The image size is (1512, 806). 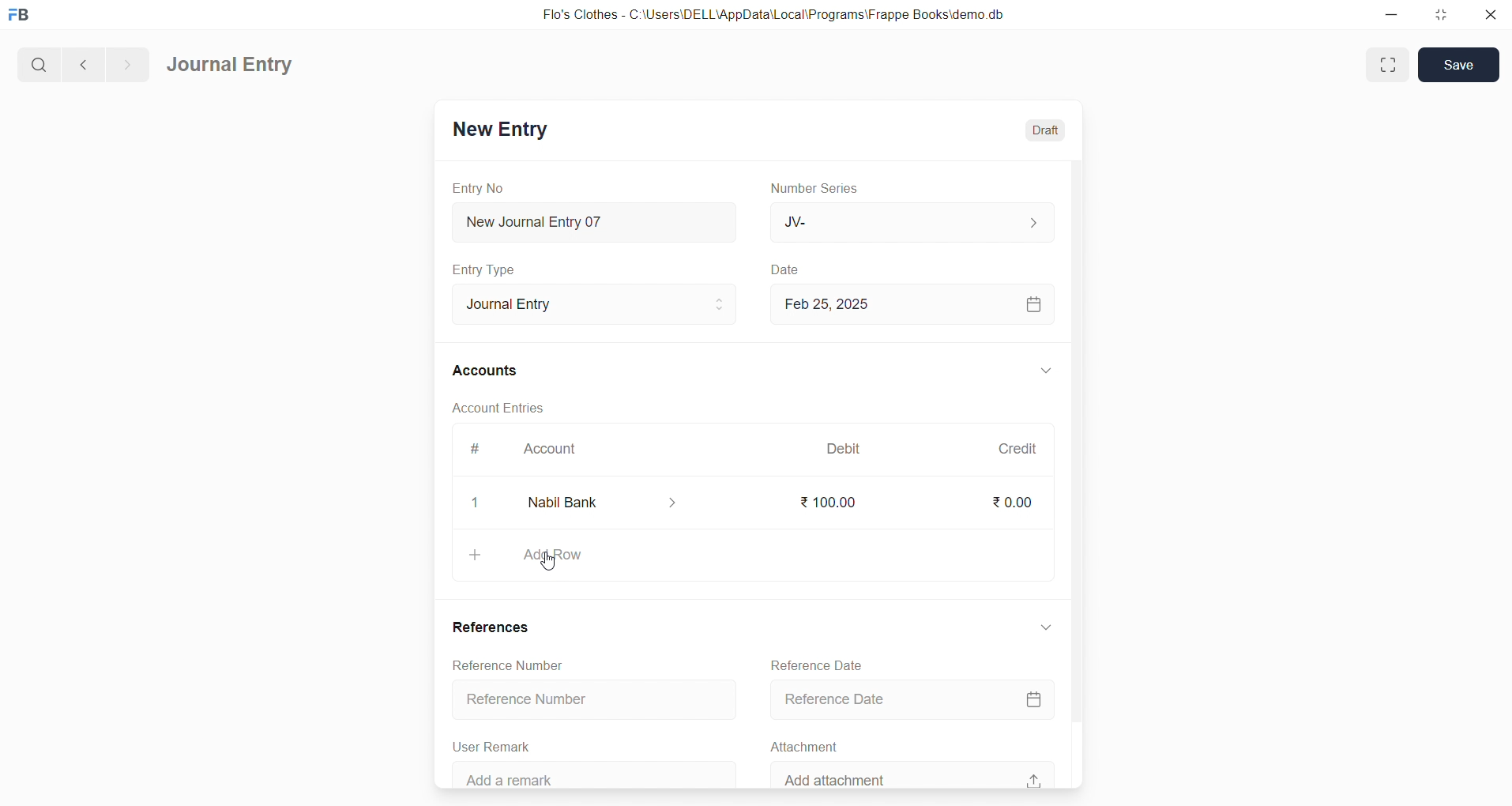 I want to click on Nabil Bank, so click(x=607, y=503).